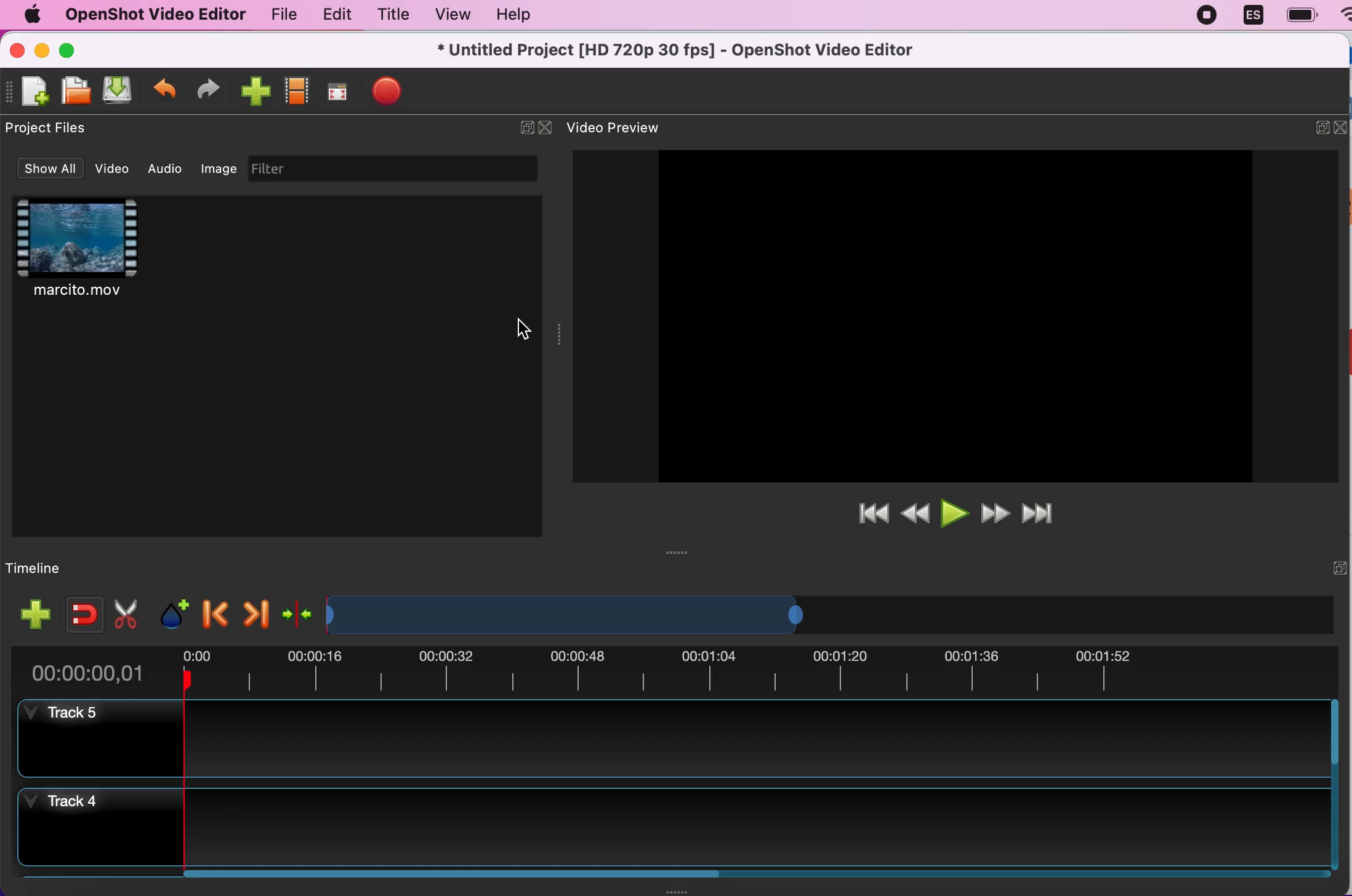 This screenshot has height=896, width=1352. What do you see at coordinates (32, 615) in the screenshot?
I see `add track` at bounding box center [32, 615].